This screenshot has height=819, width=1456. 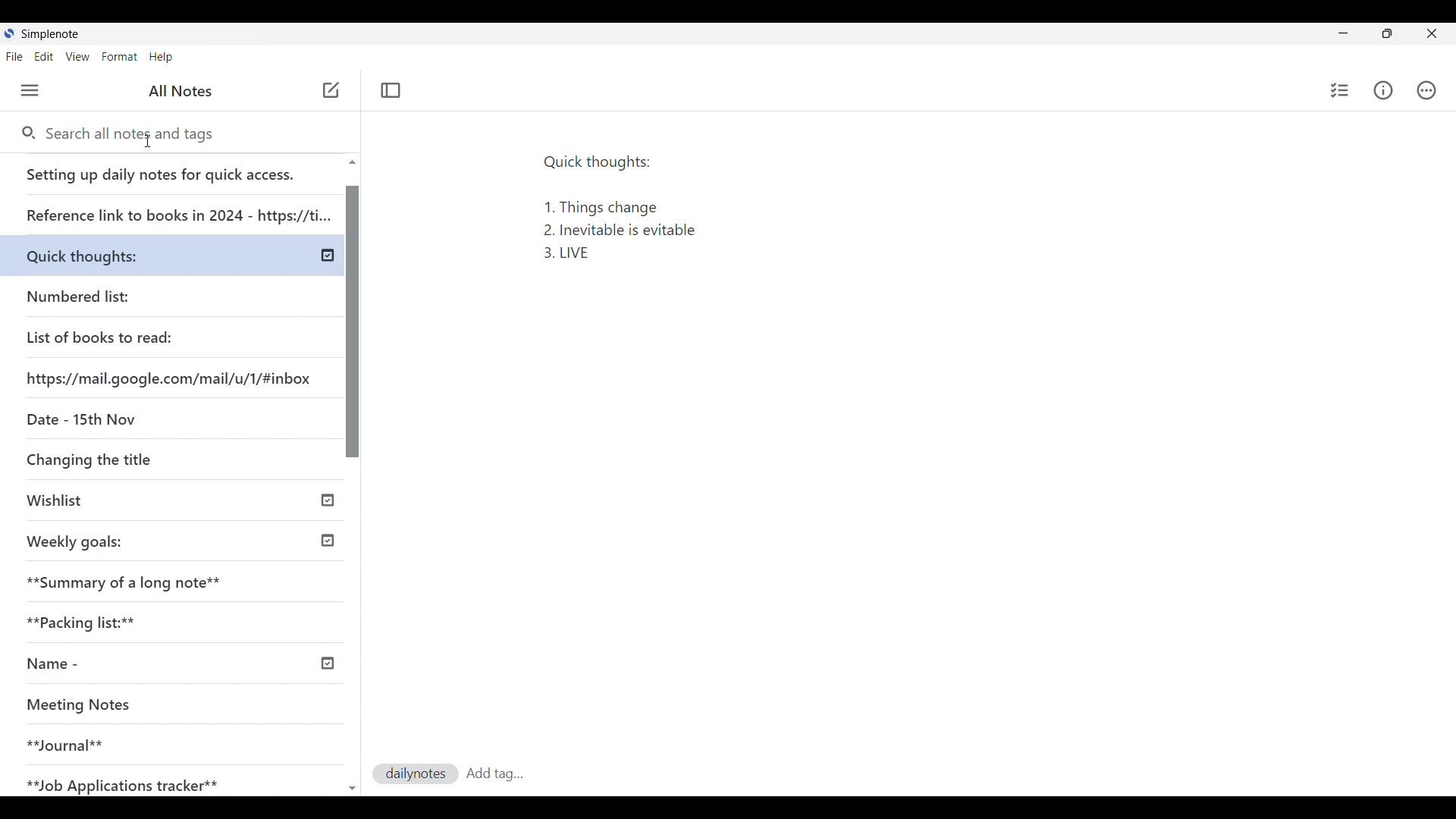 What do you see at coordinates (121, 459) in the screenshot?
I see `Changing the title` at bounding box center [121, 459].